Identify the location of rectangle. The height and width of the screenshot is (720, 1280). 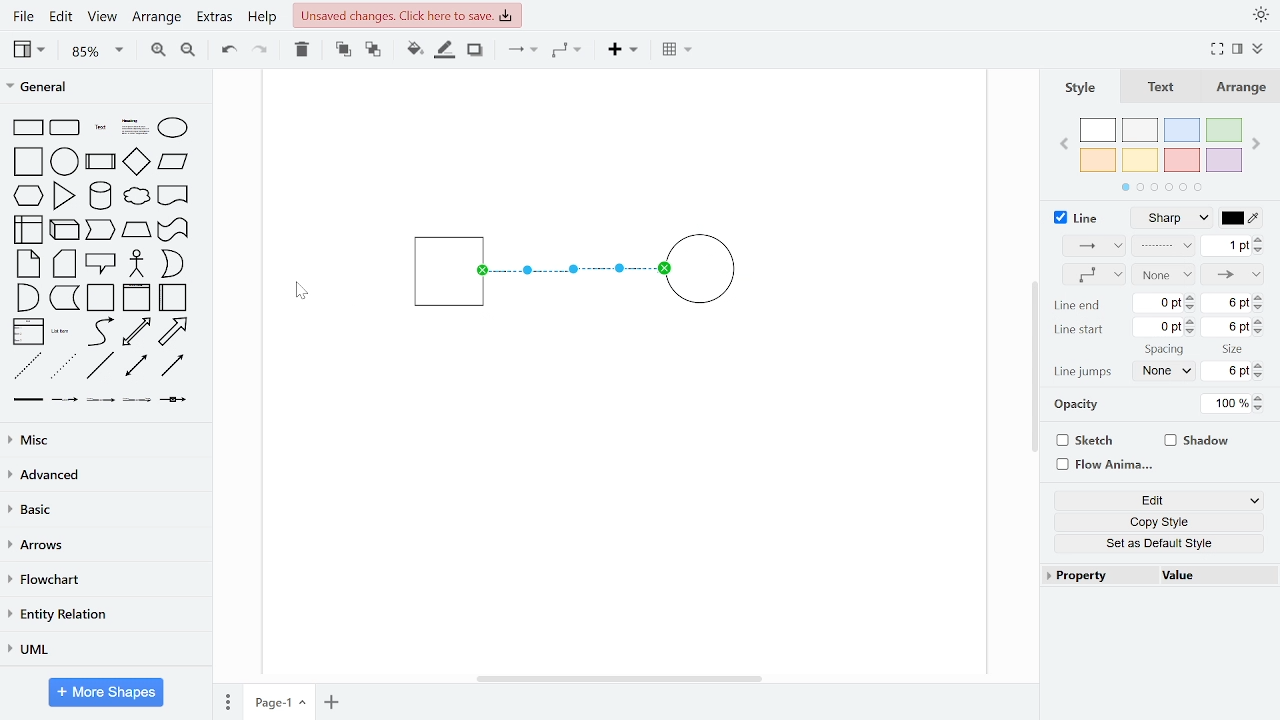
(28, 128).